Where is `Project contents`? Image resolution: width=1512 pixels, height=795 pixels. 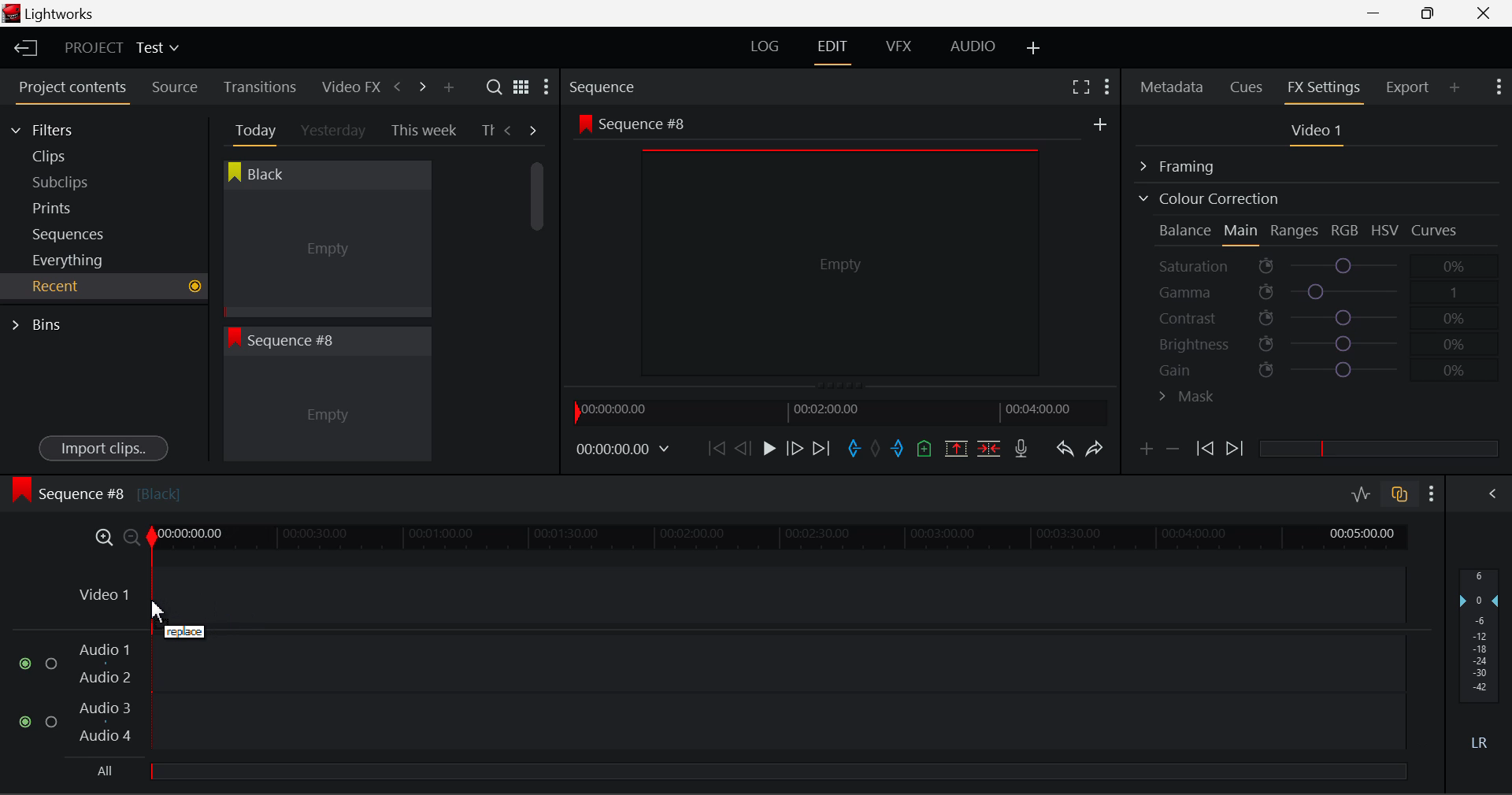
Project contents is located at coordinates (72, 91).